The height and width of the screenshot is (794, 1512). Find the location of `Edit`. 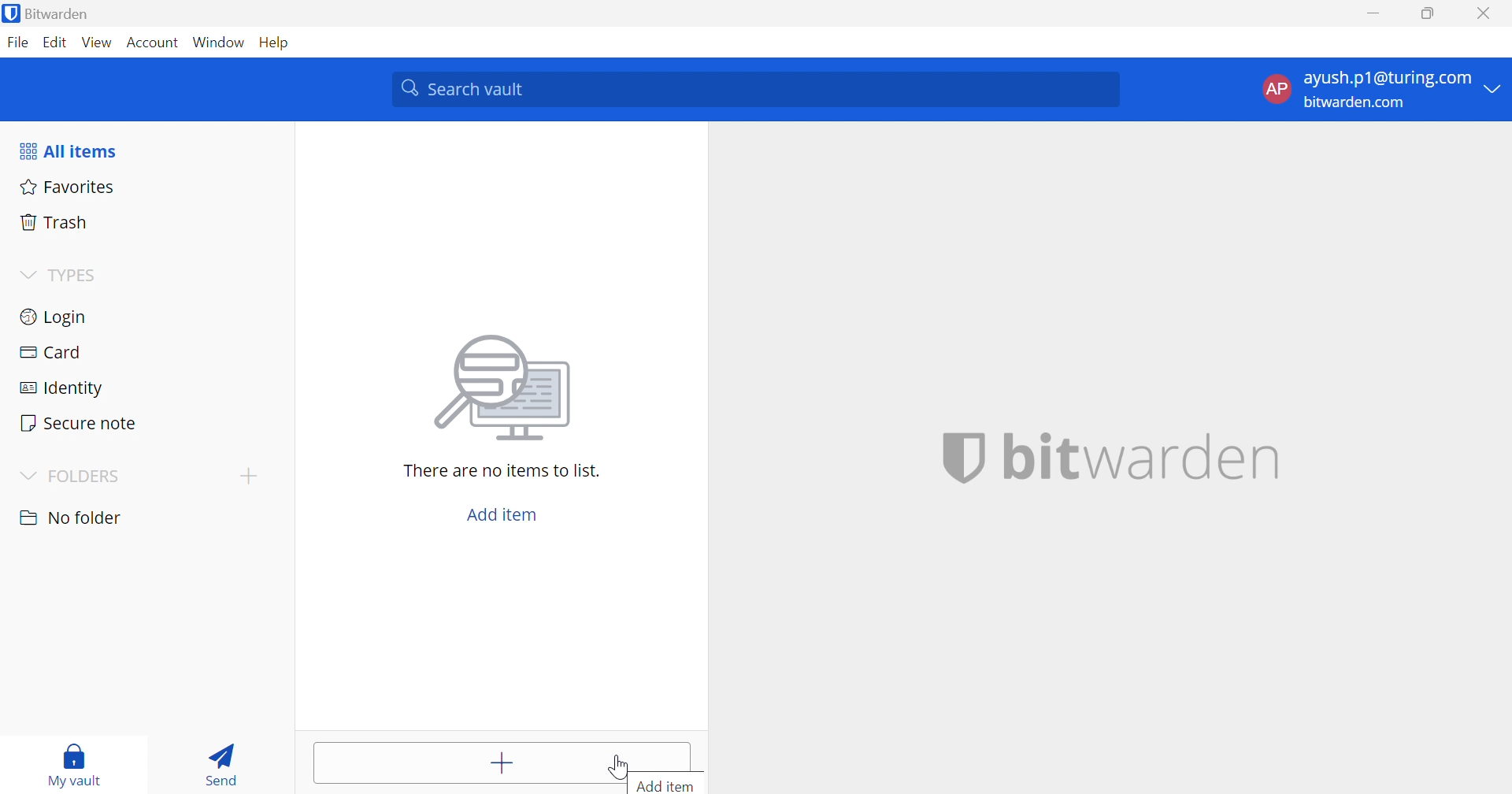

Edit is located at coordinates (54, 43).